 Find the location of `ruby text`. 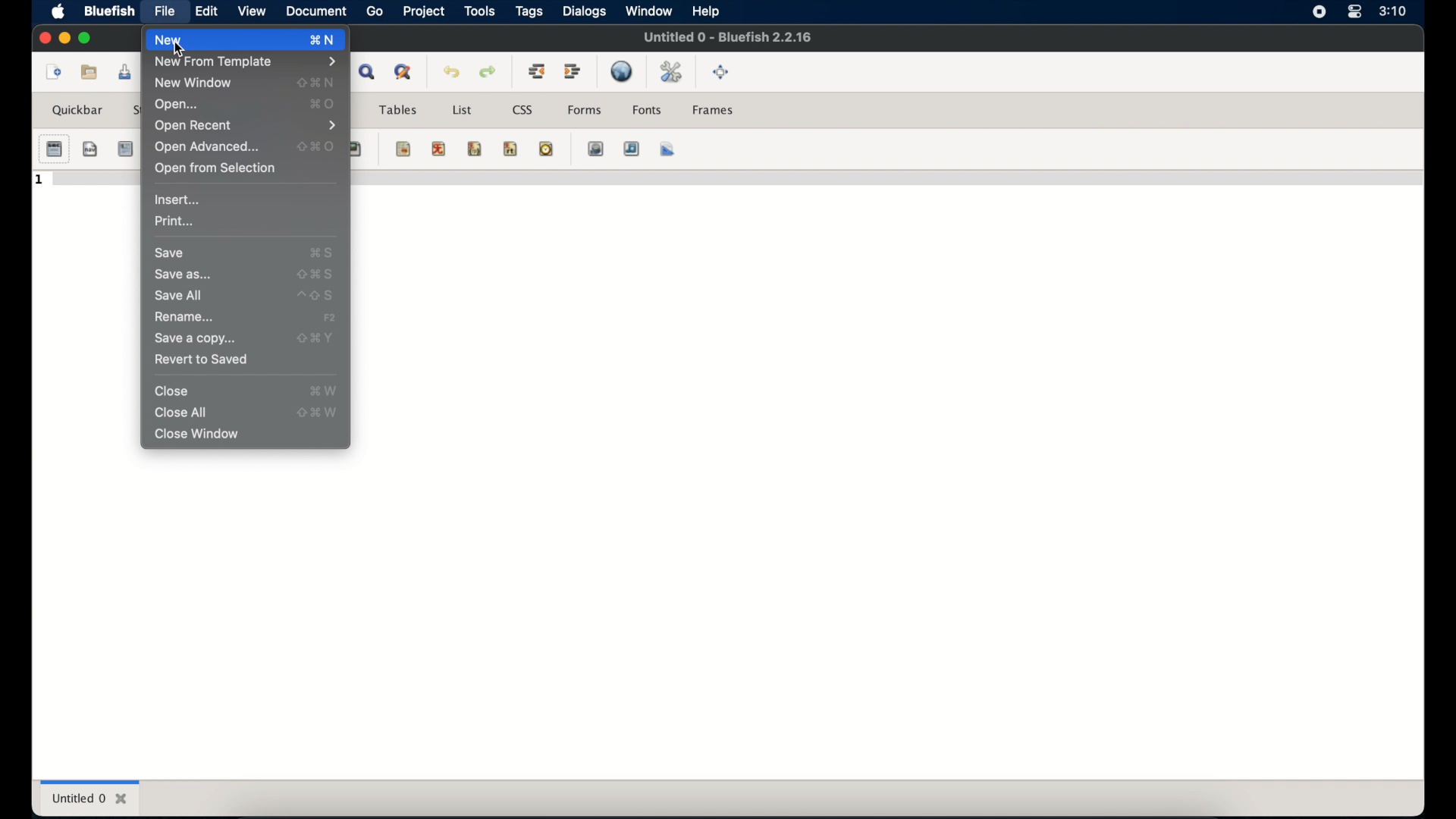

ruby text is located at coordinates (510, 149).